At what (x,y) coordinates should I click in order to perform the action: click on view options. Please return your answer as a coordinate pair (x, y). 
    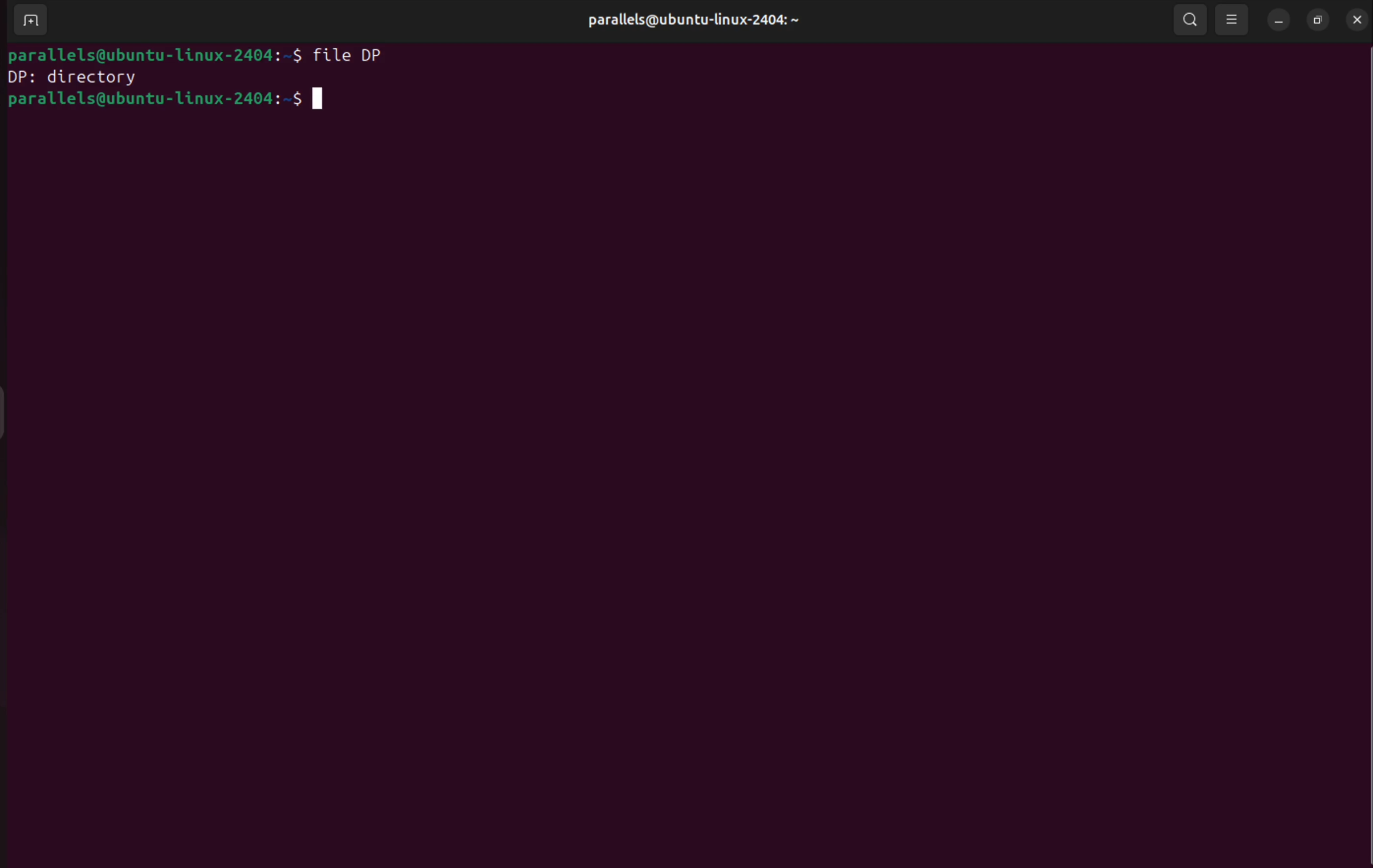
    Looking at the image, I should click on (1235, 19).